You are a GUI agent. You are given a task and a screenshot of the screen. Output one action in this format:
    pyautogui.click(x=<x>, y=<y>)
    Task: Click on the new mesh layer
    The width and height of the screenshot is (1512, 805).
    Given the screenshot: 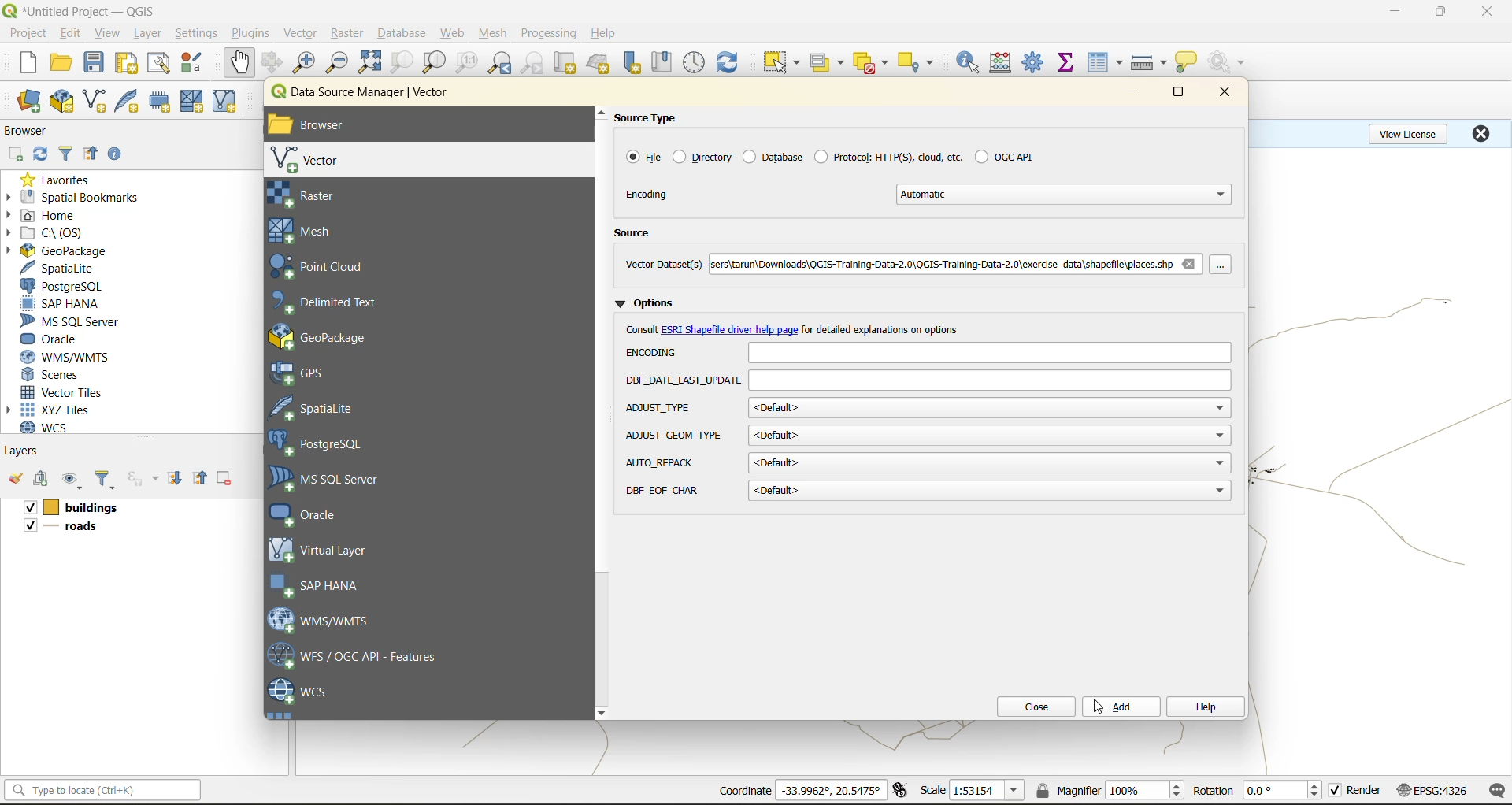 What is the action you would take?
    pyautogui.click(x=195, y=103)
    